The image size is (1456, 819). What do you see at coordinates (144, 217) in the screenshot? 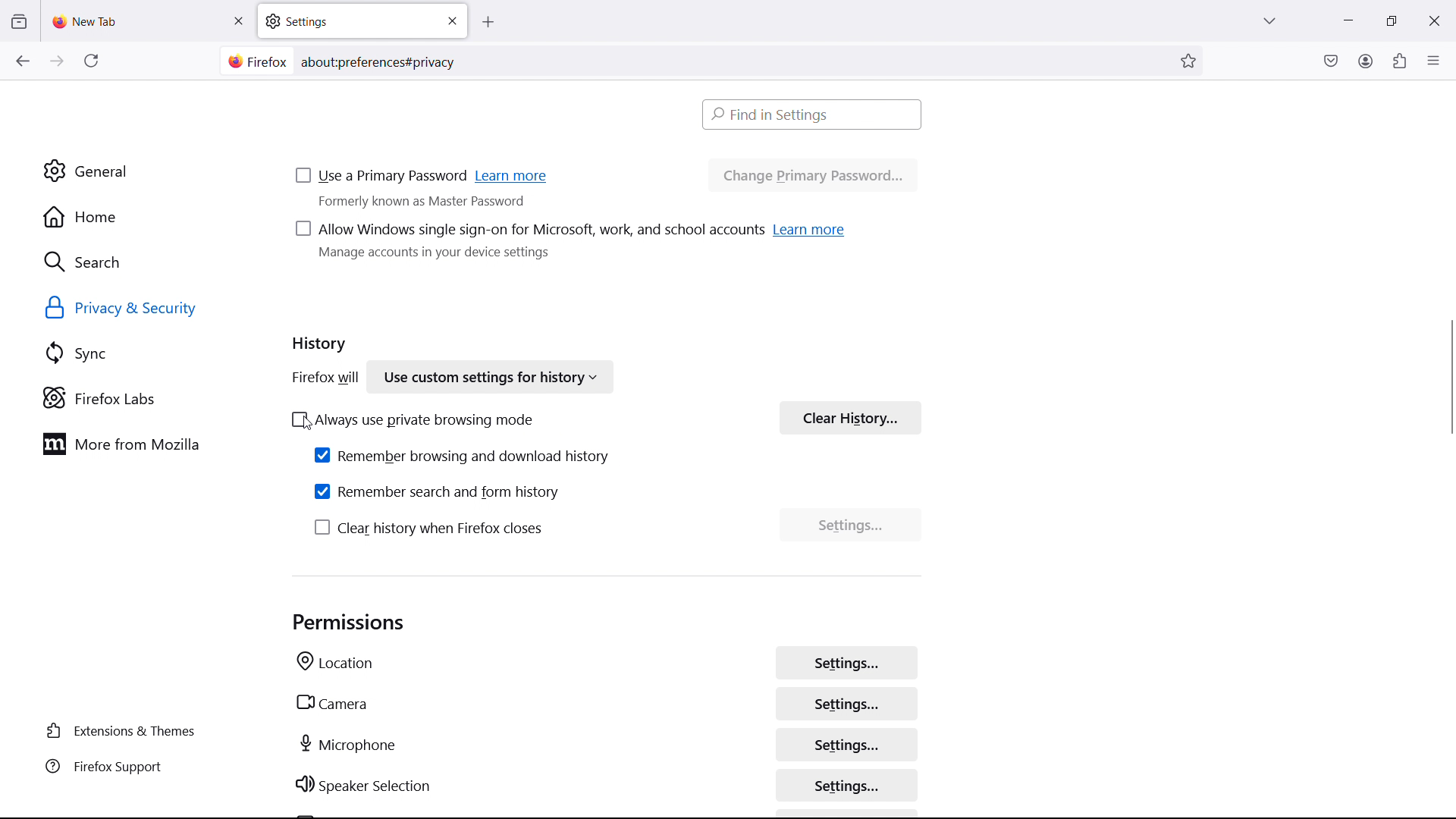
I see `home` at bounding box center [144, 217].